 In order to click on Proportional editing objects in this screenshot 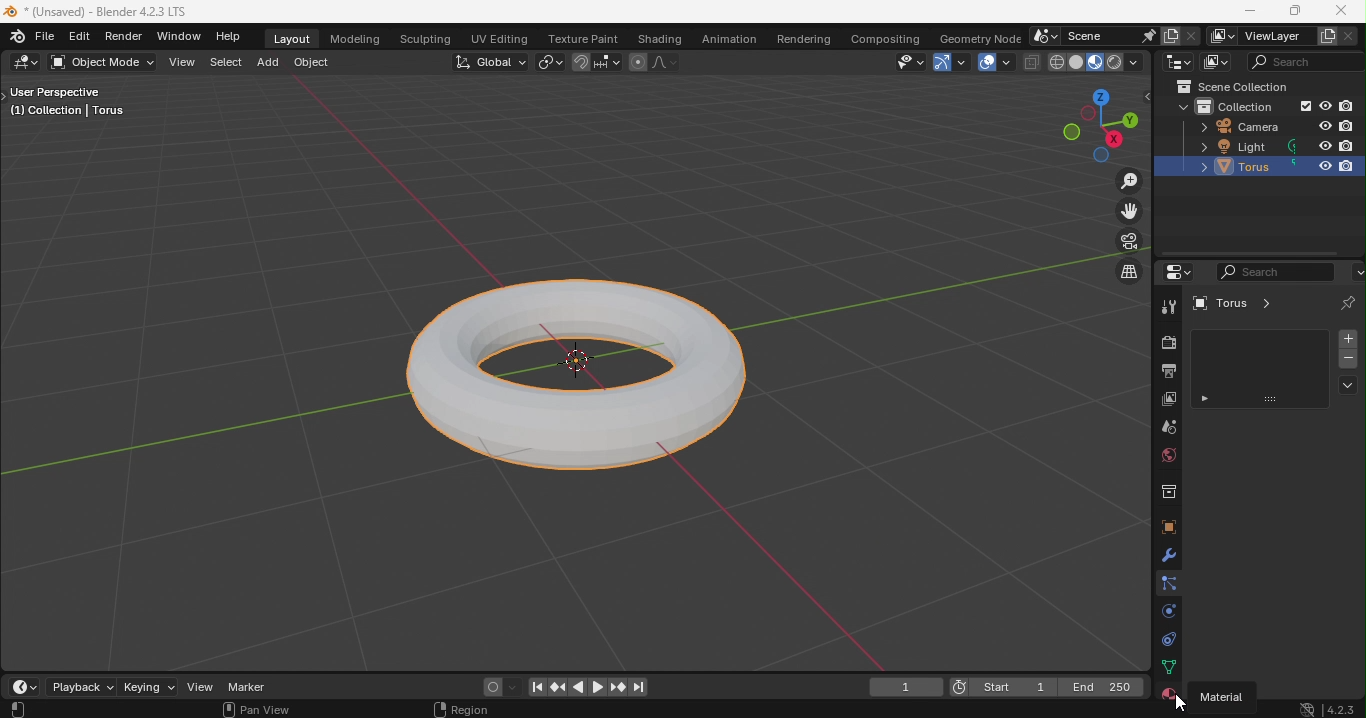, I will do `click(638, 63)`.